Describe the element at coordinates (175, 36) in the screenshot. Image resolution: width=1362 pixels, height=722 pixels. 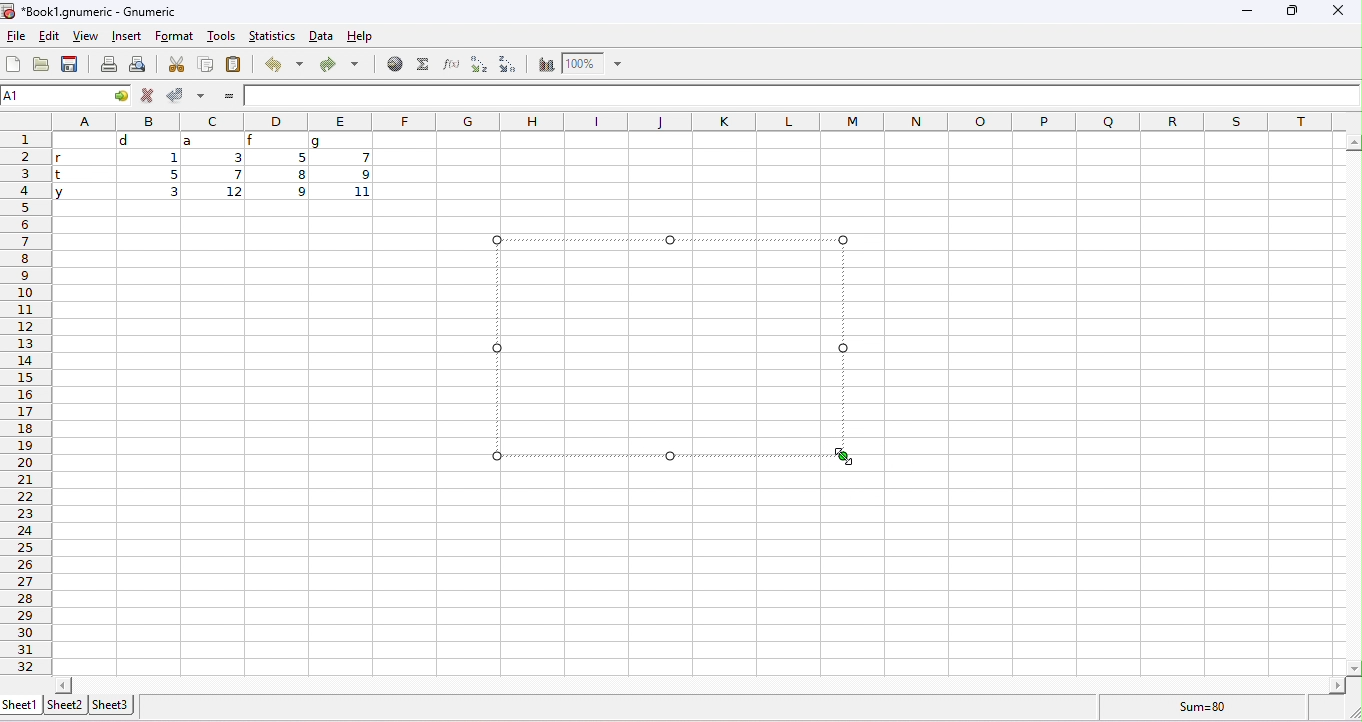
I see `format` at that location.